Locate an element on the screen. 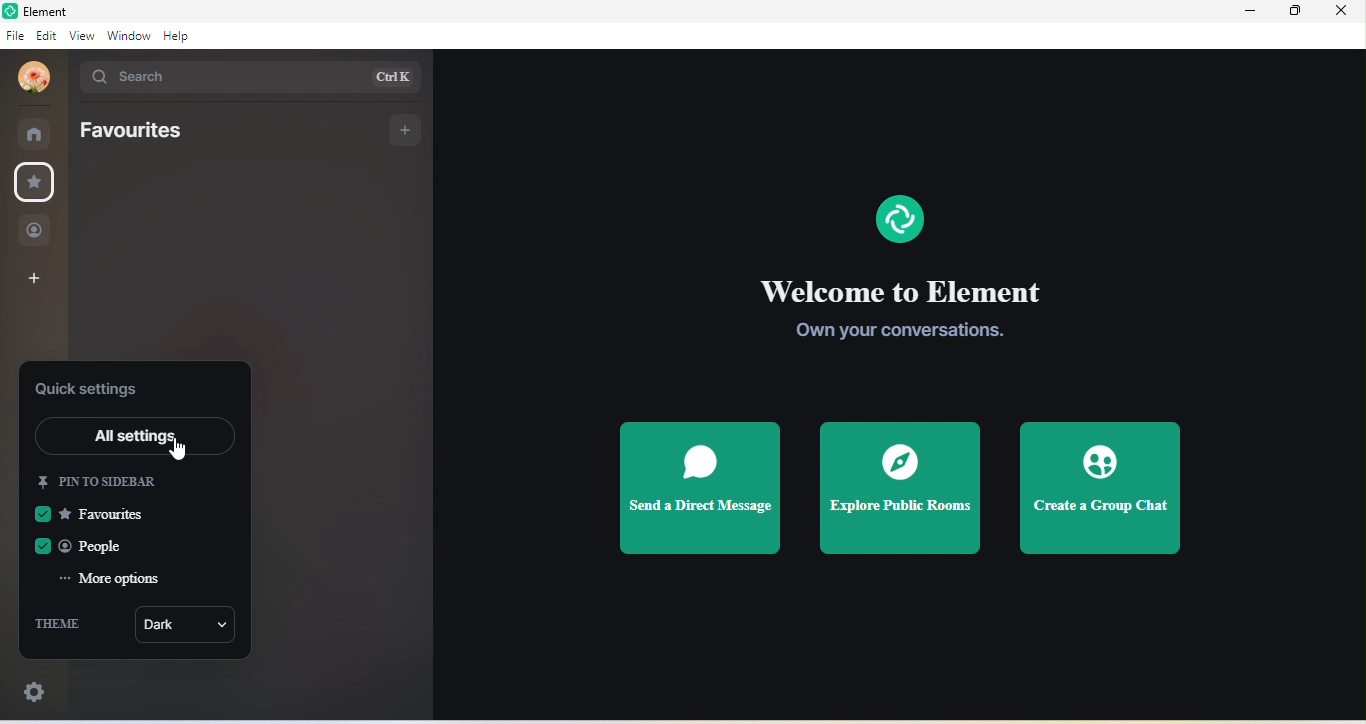 Image resolution: width=1366 pixels, height=724 pixels. maximize is located at coordinates (1295, 15).